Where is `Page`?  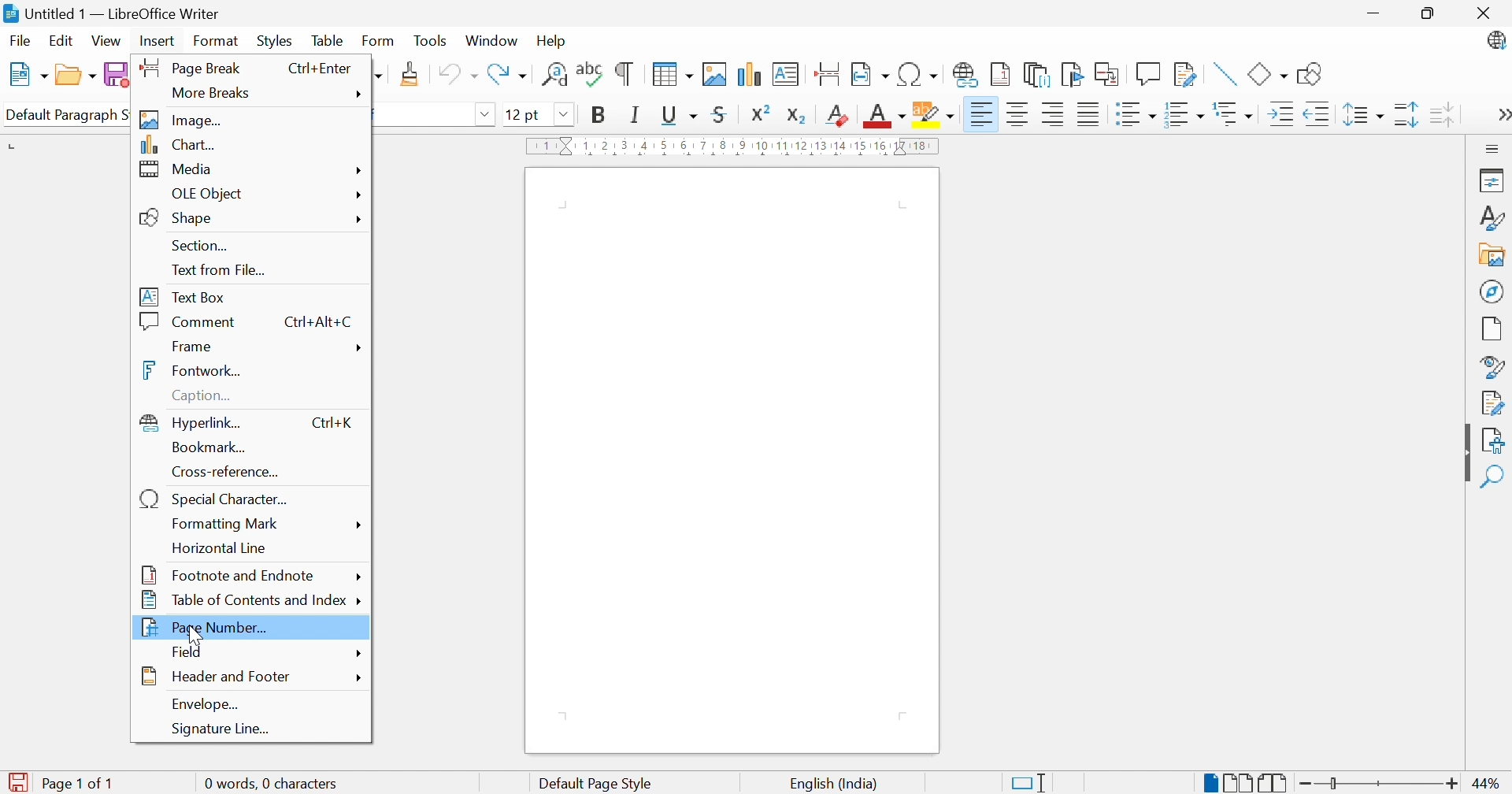 Page is located at coordinates (1493, 329).